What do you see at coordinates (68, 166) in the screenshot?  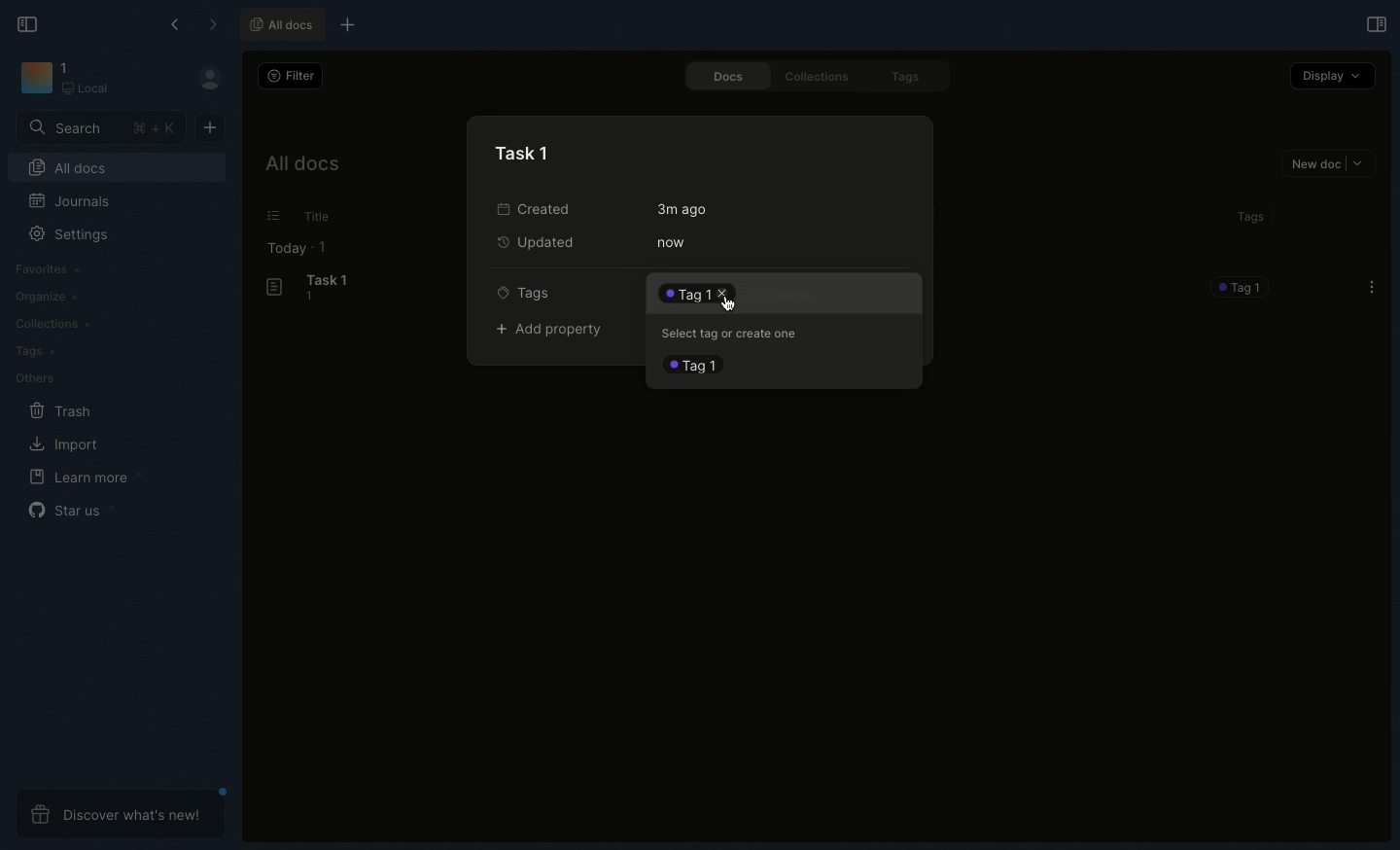 I see `All docs` at bounding box center [68, 166].